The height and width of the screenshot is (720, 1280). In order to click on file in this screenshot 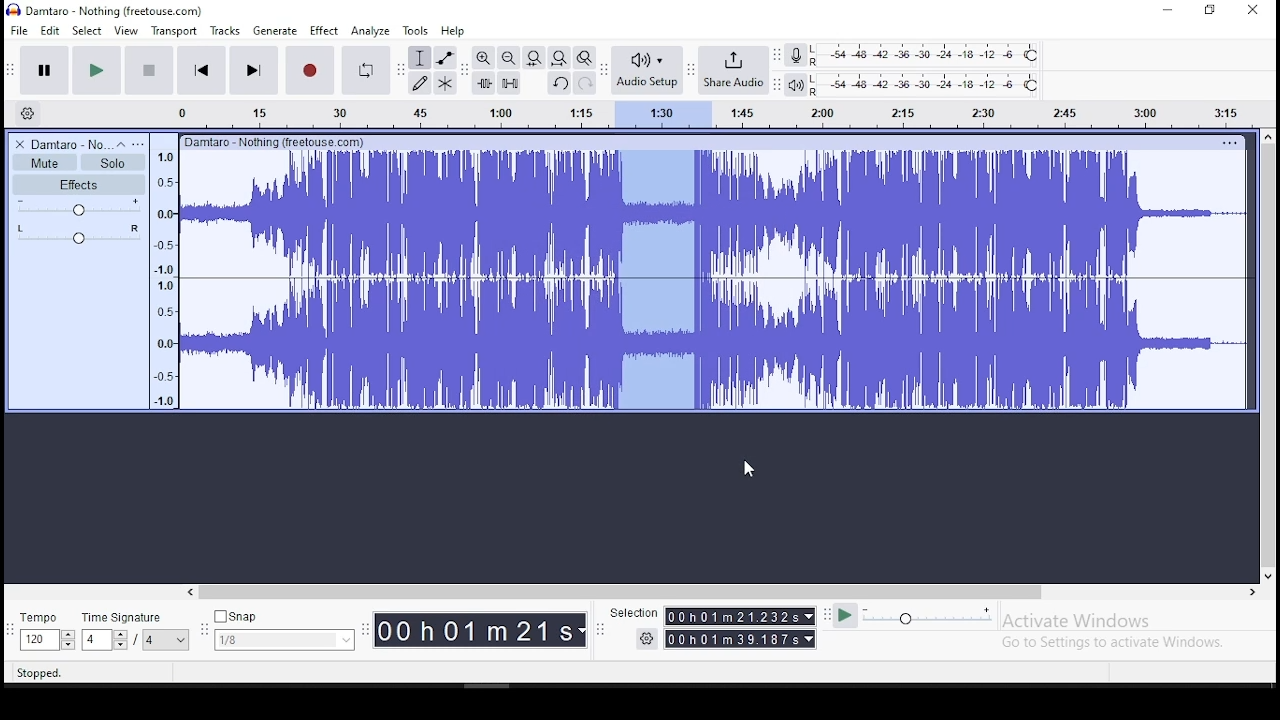, I will do `click(21, 30)`.